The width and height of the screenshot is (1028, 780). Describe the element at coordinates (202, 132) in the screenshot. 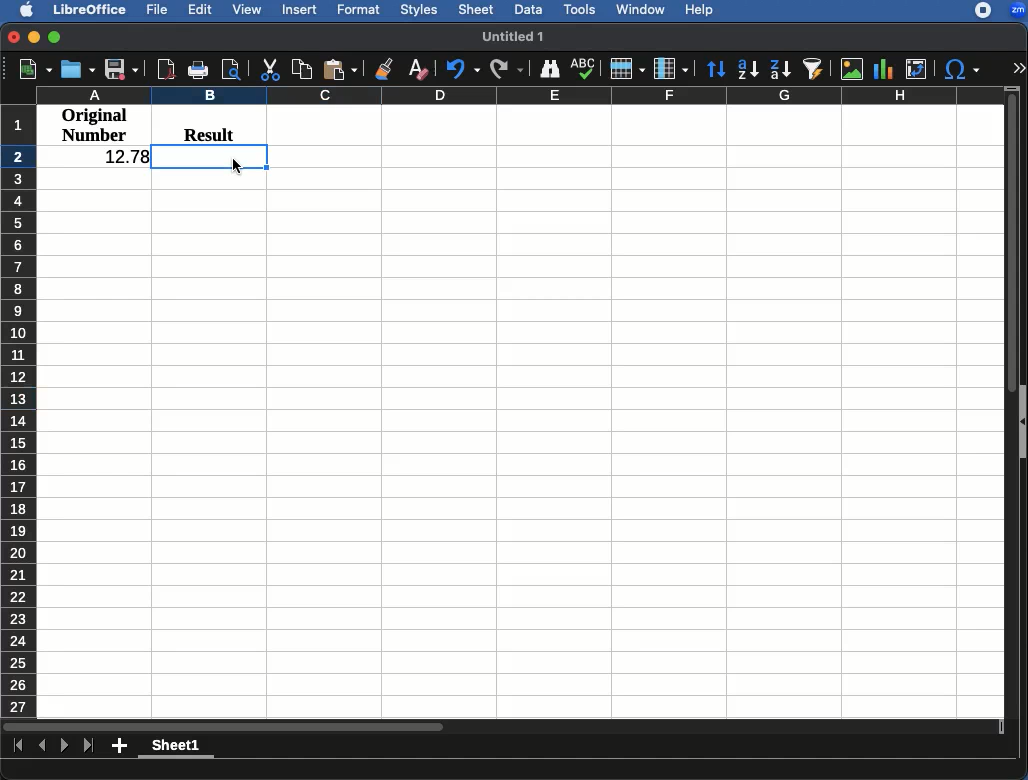

I see `Result` at that location.